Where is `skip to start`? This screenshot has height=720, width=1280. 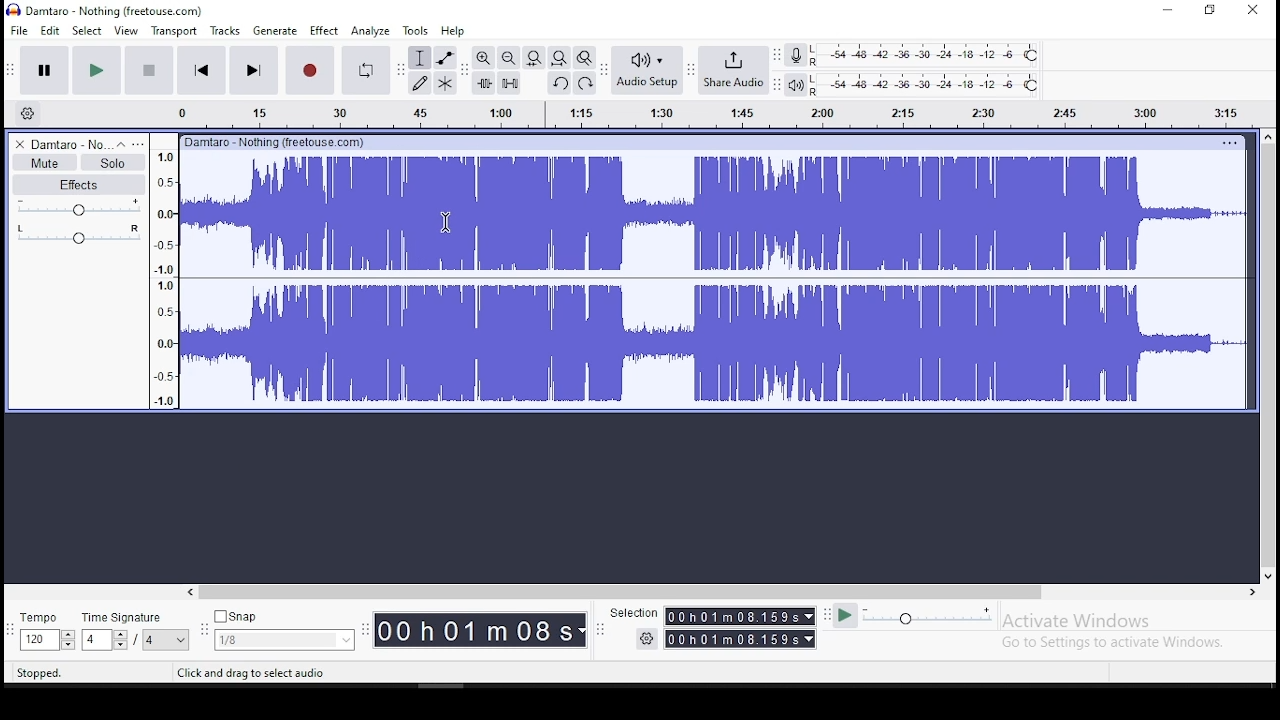 skip to start is located at coordinates (202, 69).